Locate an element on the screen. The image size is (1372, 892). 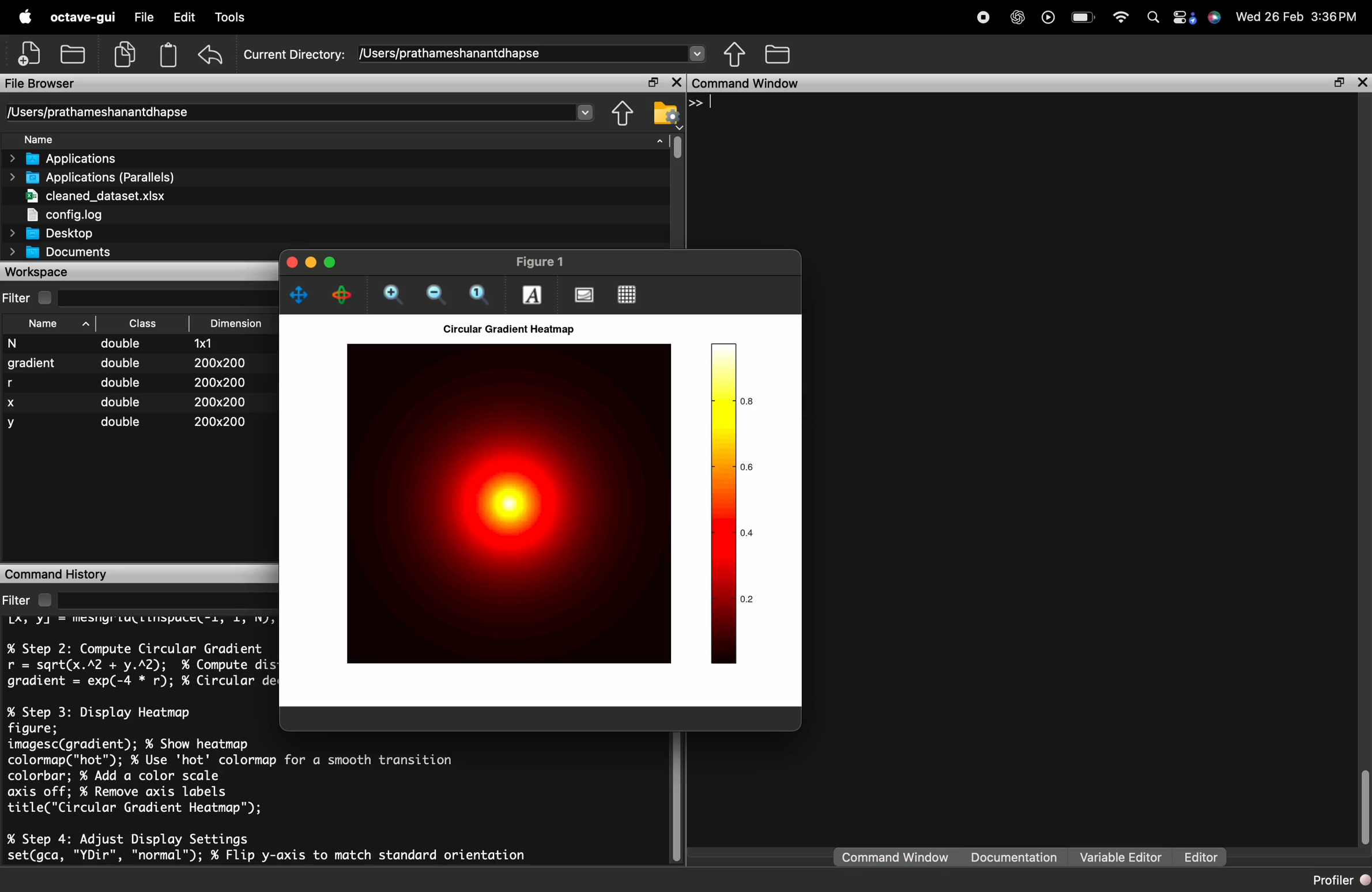
Variable Editor is located at coordinates (1118, 857).